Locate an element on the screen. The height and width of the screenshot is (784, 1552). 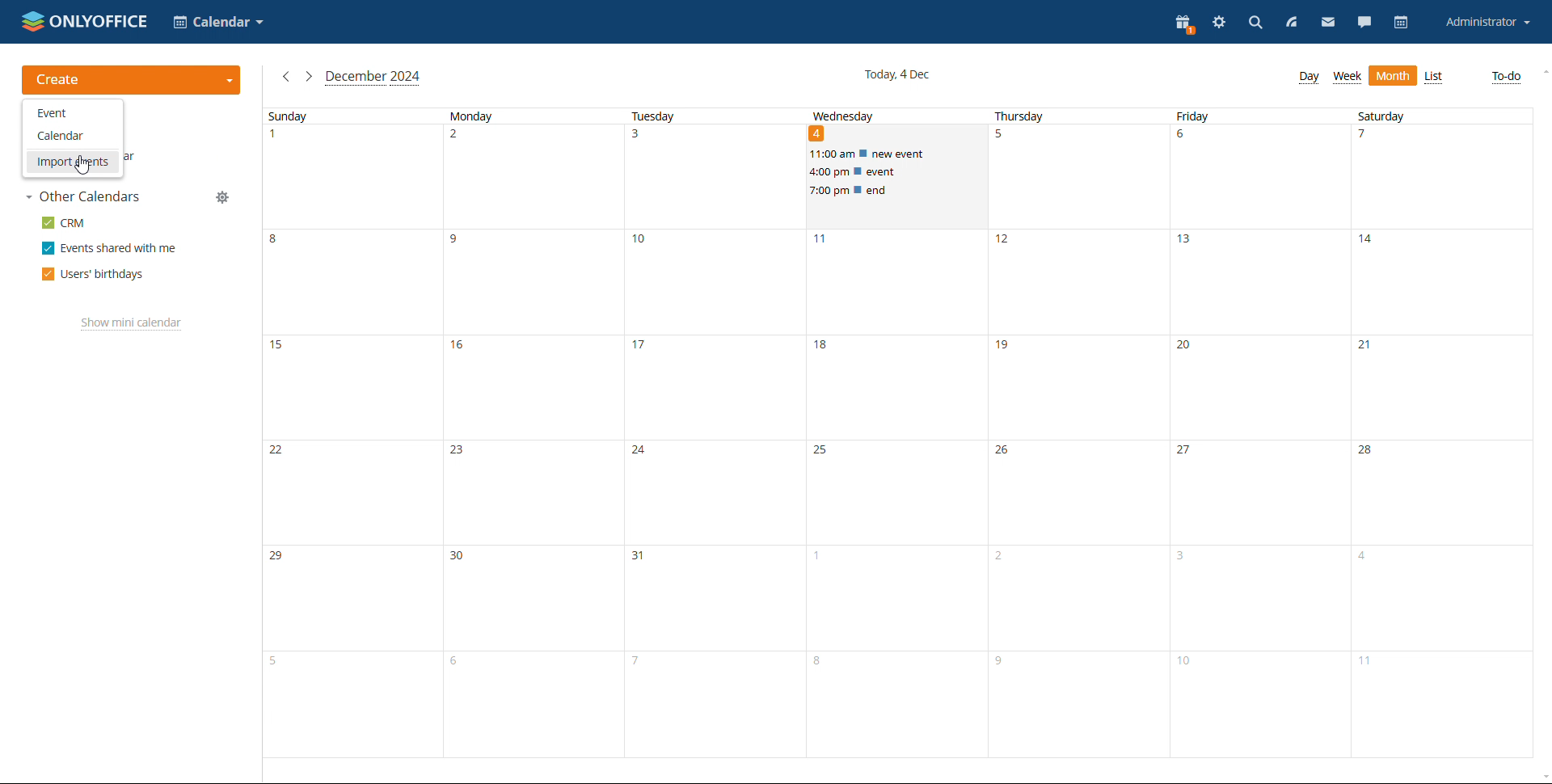
present is located at coordinates (1183, 24).